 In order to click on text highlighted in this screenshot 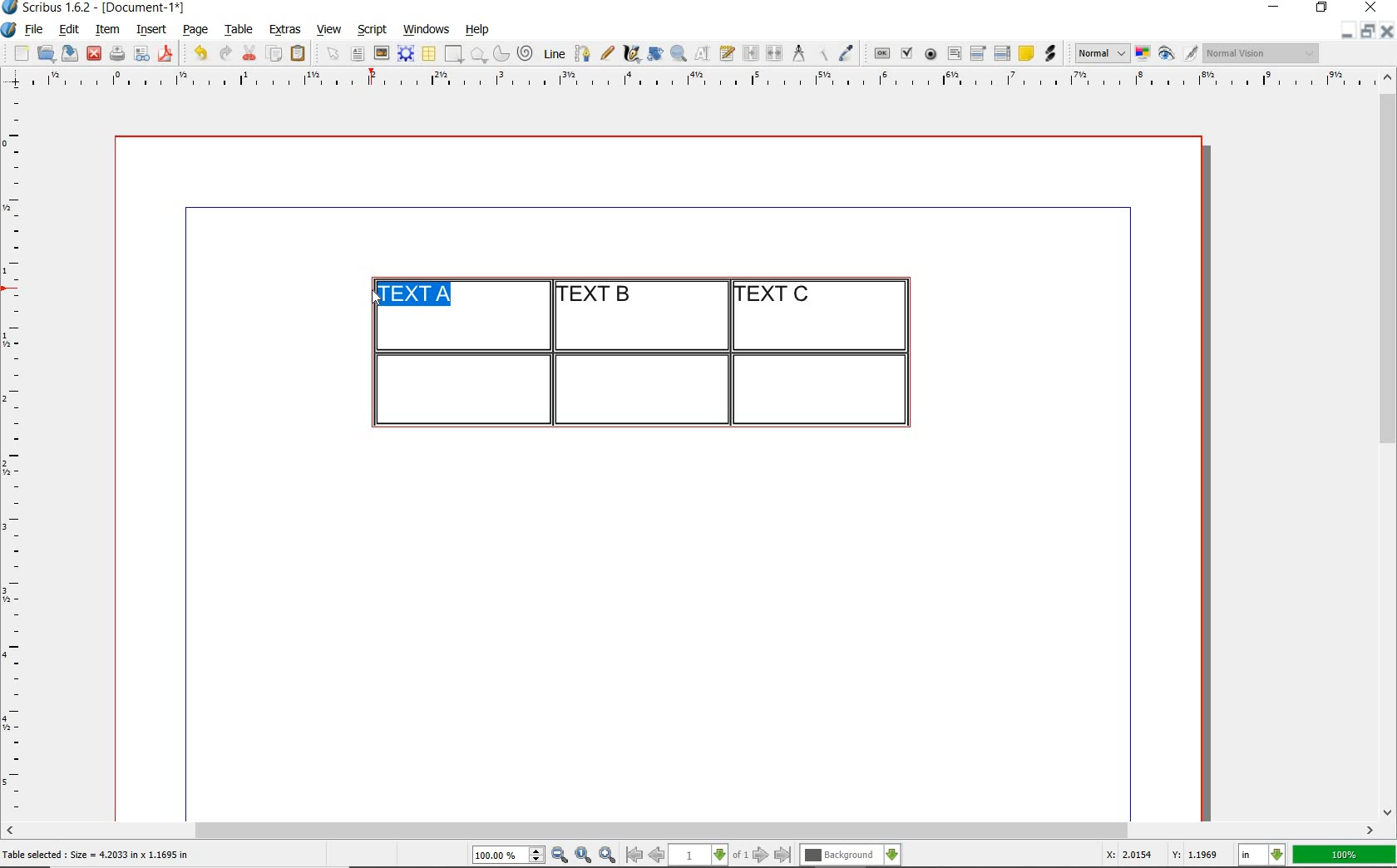, I will do `click(412, 293)`.